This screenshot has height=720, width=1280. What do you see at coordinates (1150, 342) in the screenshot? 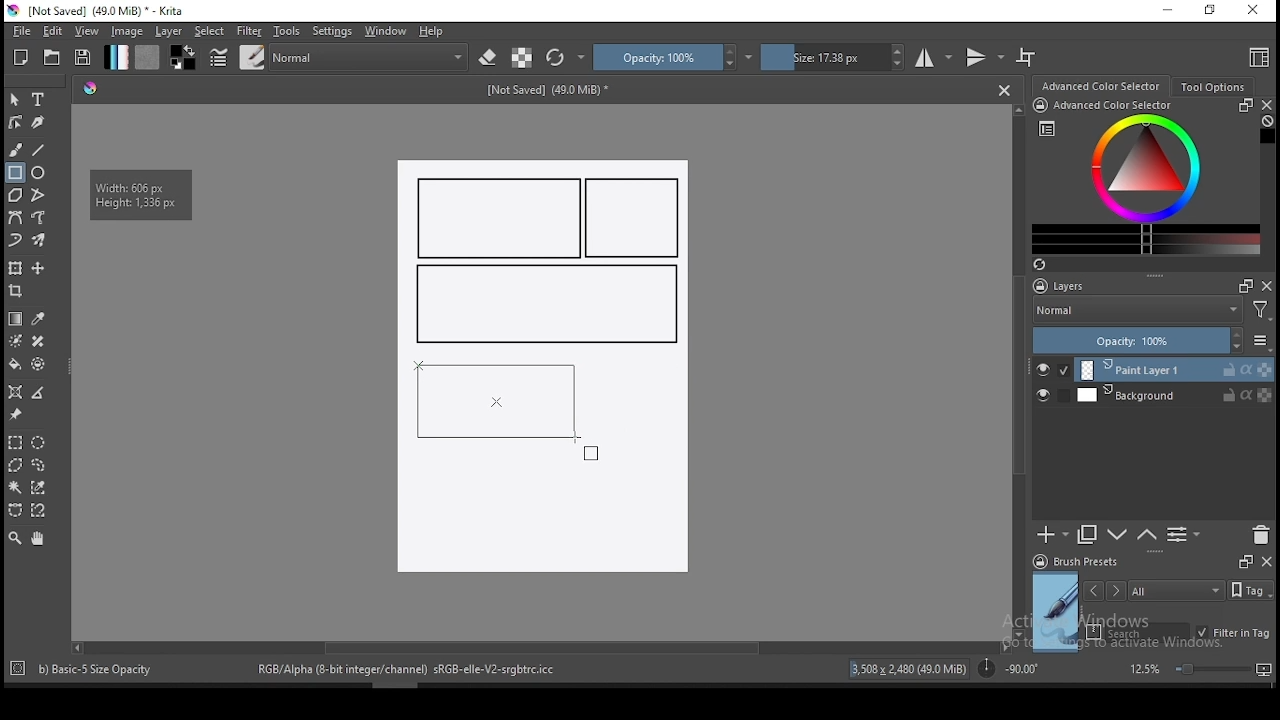
I see `opacity` at bounding box center [1150, 342].